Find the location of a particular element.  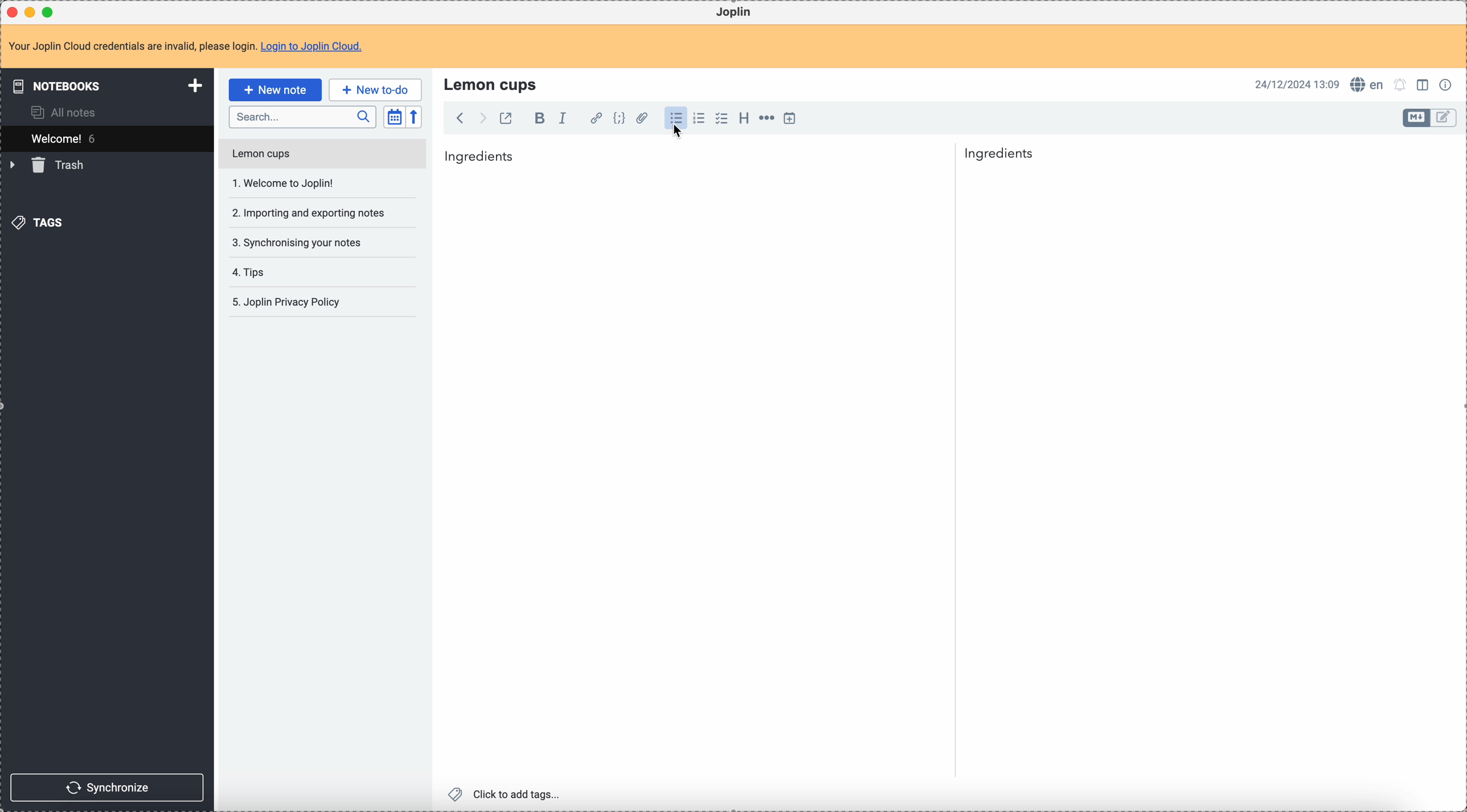

reverse sort order is located at coordinates (416, 117).